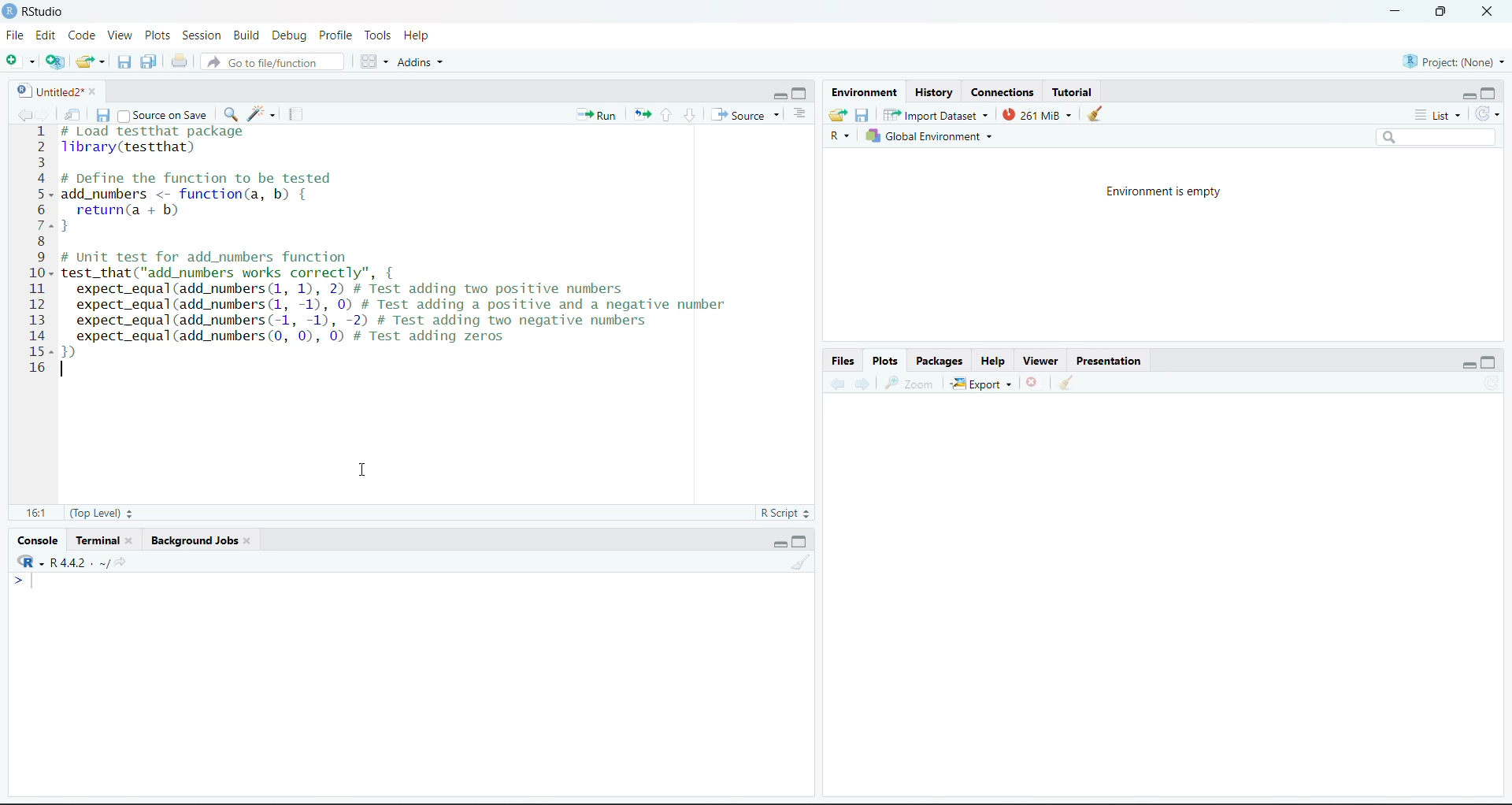  I want to click on Import Dataset, so click(936, 115).